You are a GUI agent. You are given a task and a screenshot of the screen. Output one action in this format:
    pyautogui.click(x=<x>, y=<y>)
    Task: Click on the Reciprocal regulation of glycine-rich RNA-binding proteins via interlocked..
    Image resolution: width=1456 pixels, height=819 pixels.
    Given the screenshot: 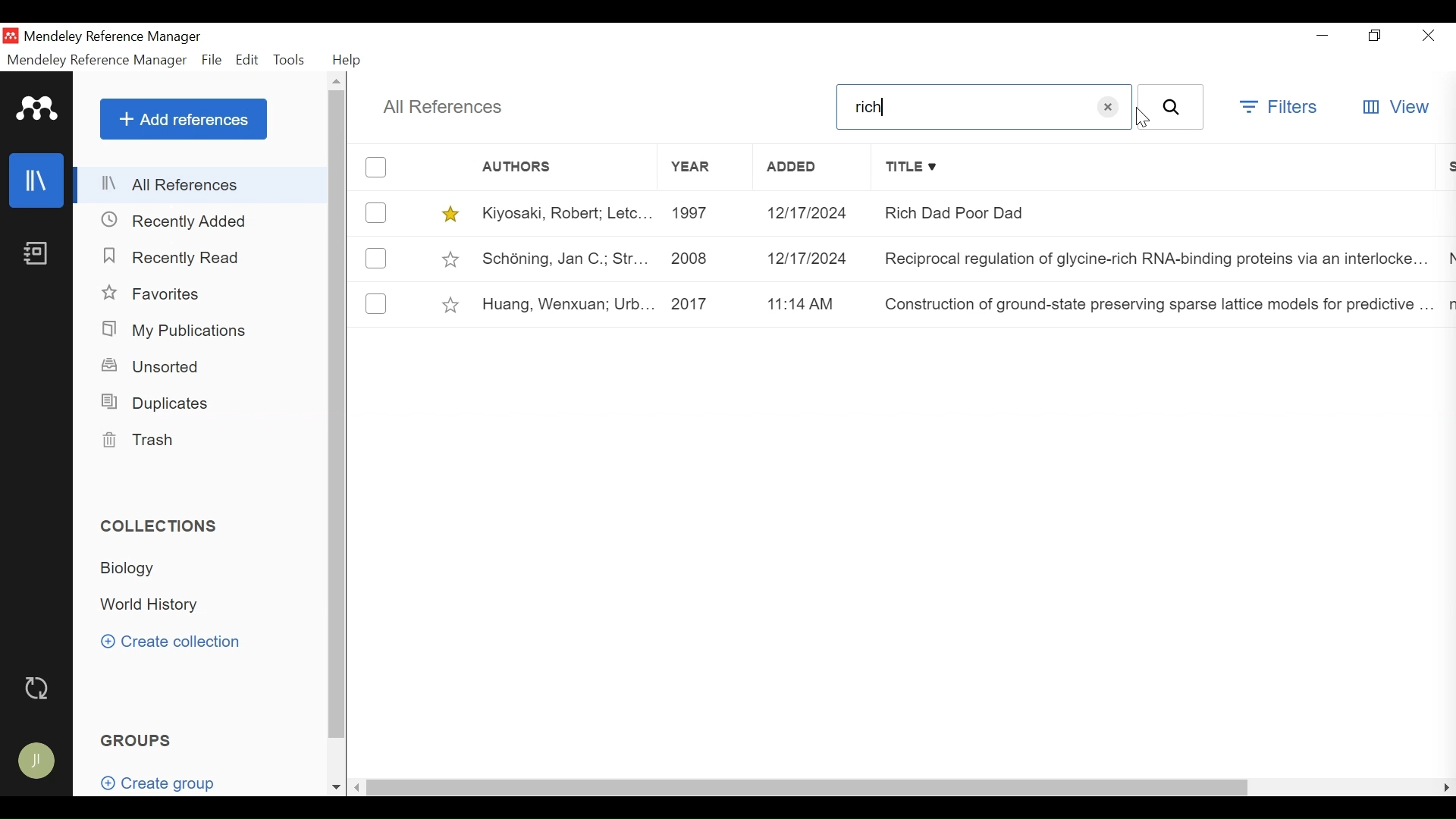 What is the action you would take?
    pyautogui.click(x=1156, y=256)
    